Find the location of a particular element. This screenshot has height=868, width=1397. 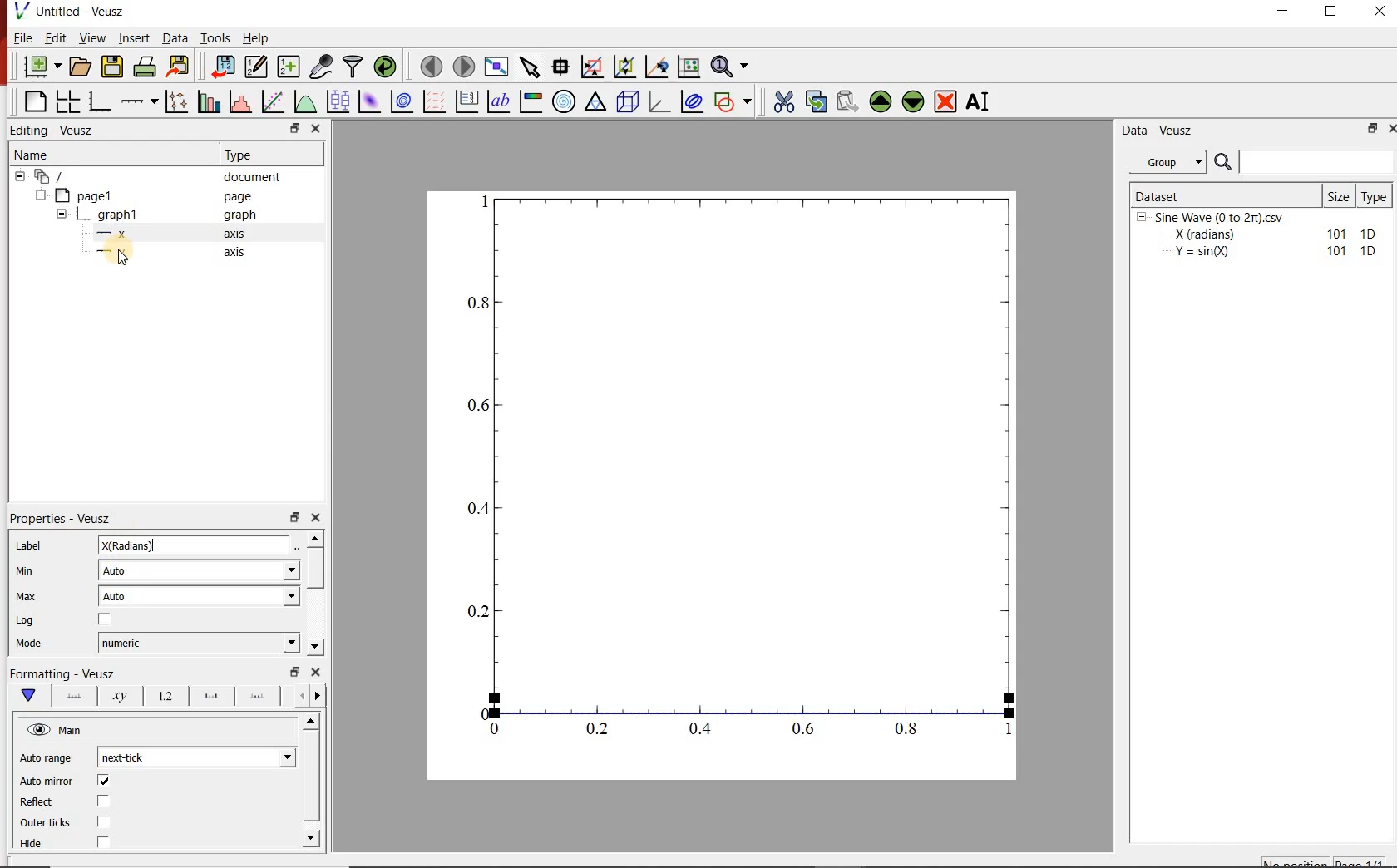

new document is located at coordinates (42, 67).